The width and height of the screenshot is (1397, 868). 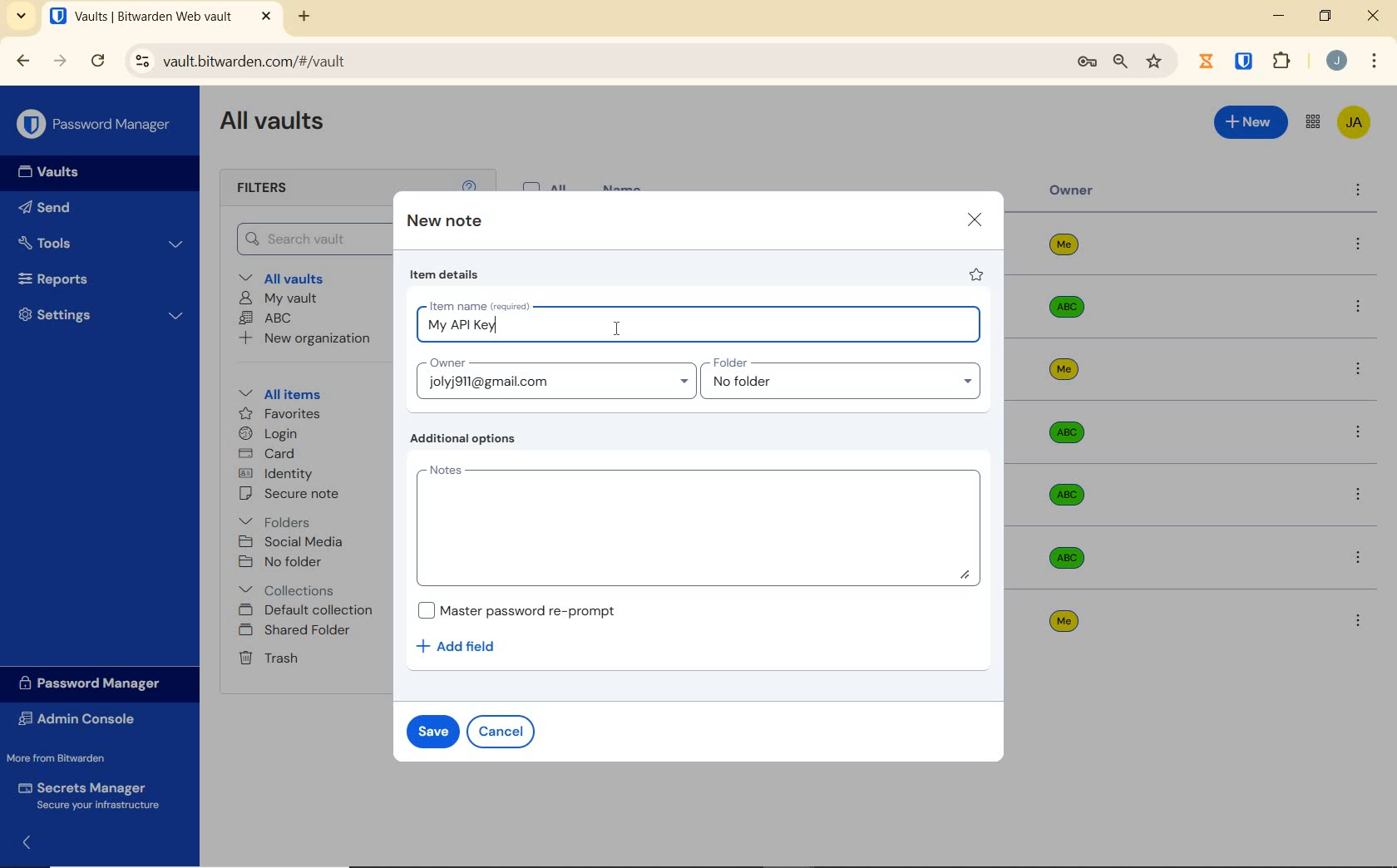 I want to click on ABC, so click(x=269, y=319).